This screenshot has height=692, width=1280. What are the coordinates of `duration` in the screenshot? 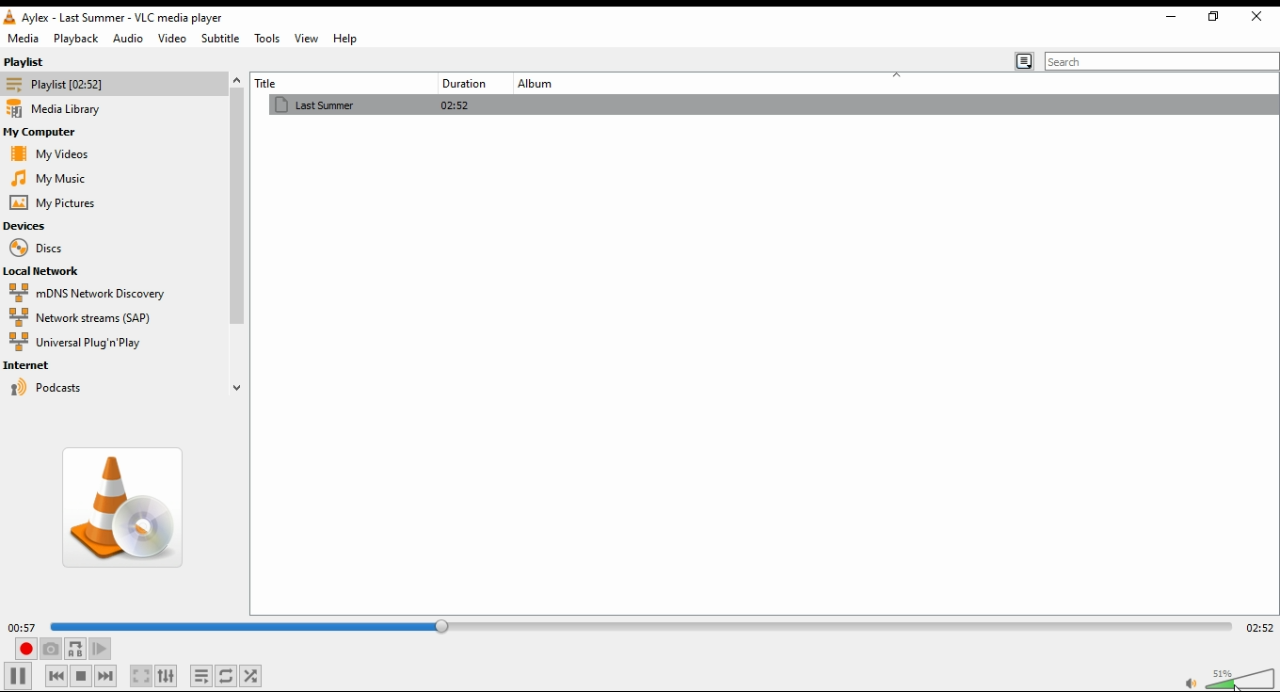 It's located at (462, 83).